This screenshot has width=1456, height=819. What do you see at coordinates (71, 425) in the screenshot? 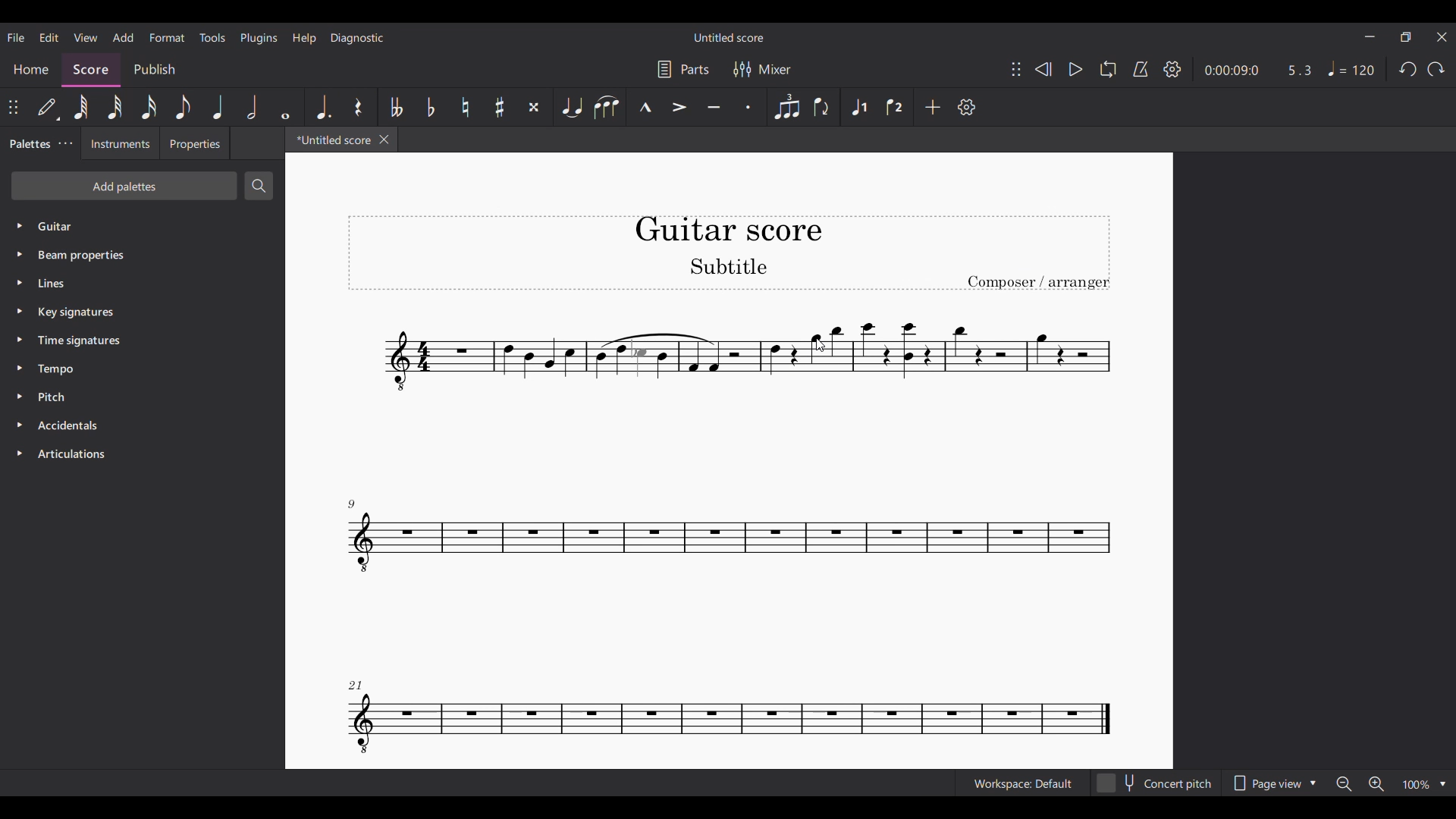
I see `Accidentals` at bounding box center [71, 425].